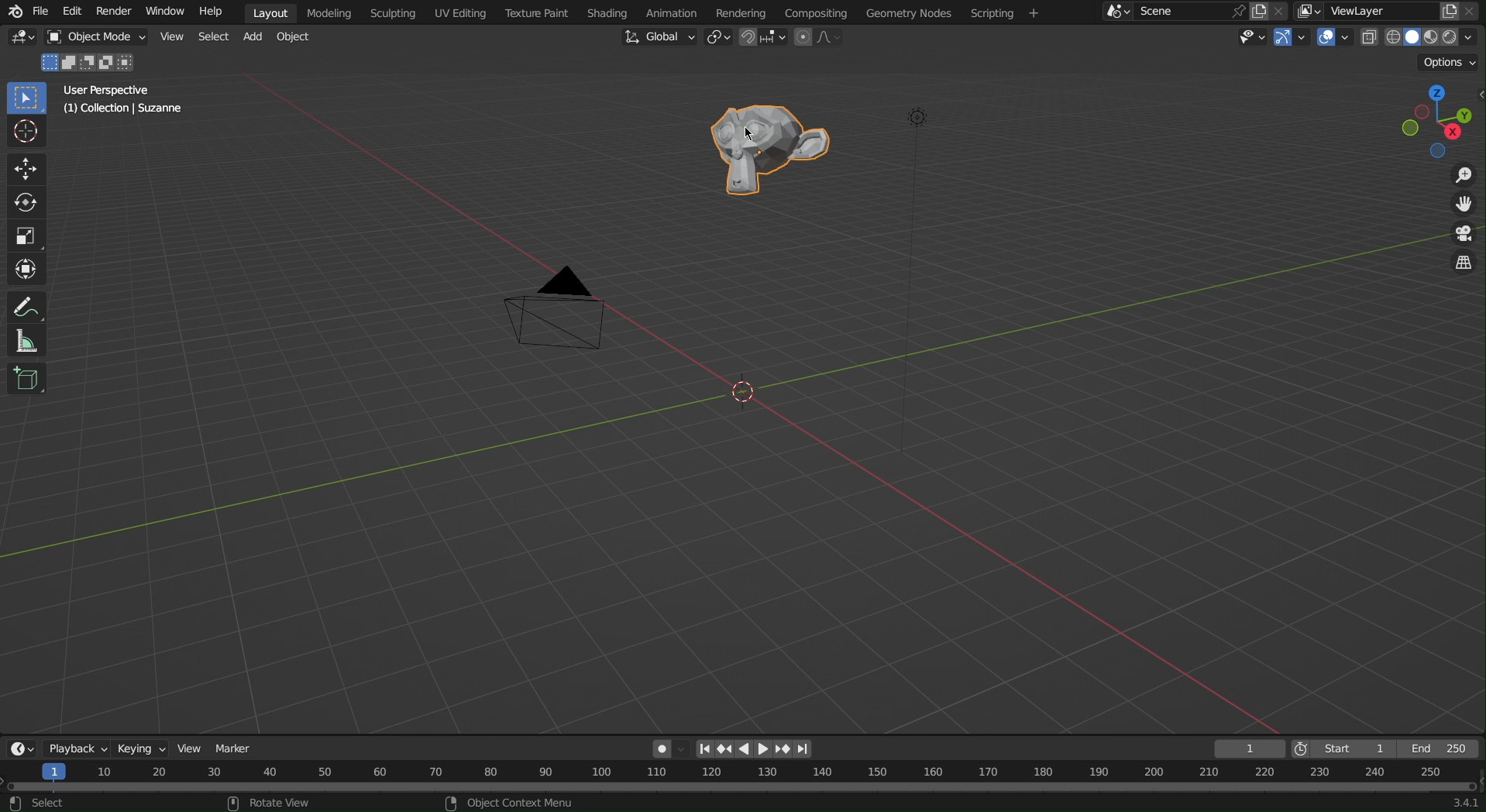 This screenshot has width=1486, height=812. Describe the element at coordinates (77, 750) in the screenshot. I see `Playback` at that location.